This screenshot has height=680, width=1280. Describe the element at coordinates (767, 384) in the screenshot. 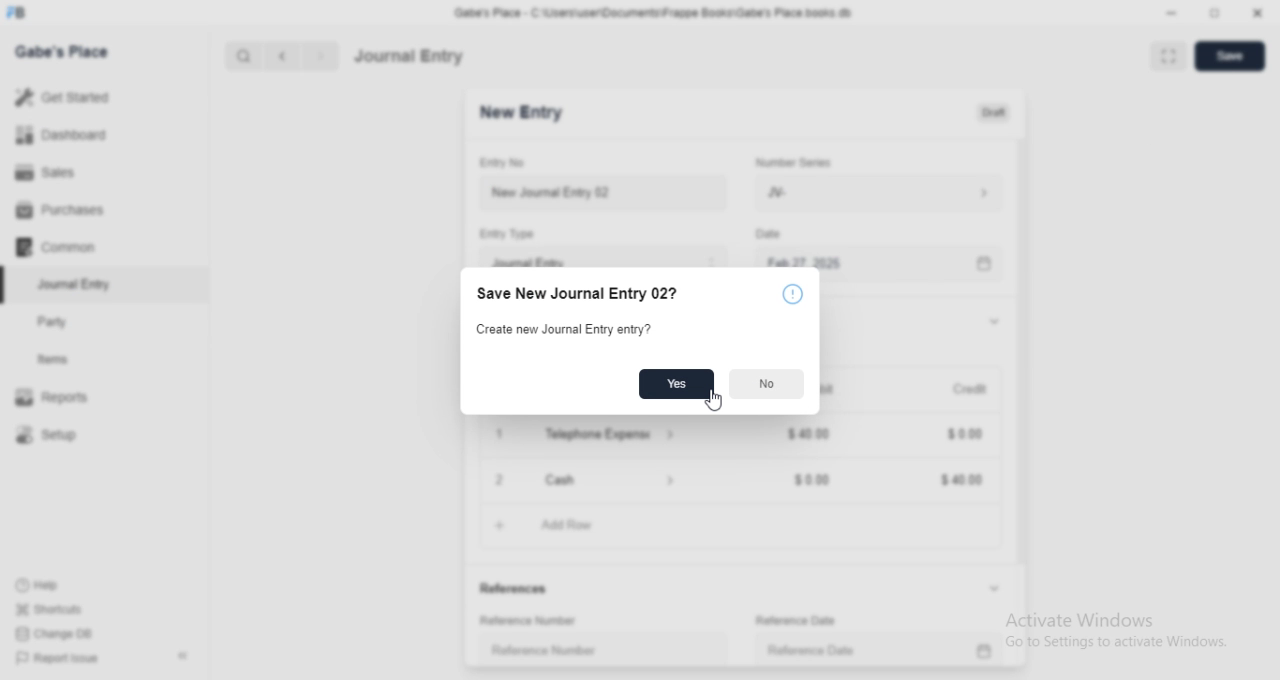

I see `No` at that location.